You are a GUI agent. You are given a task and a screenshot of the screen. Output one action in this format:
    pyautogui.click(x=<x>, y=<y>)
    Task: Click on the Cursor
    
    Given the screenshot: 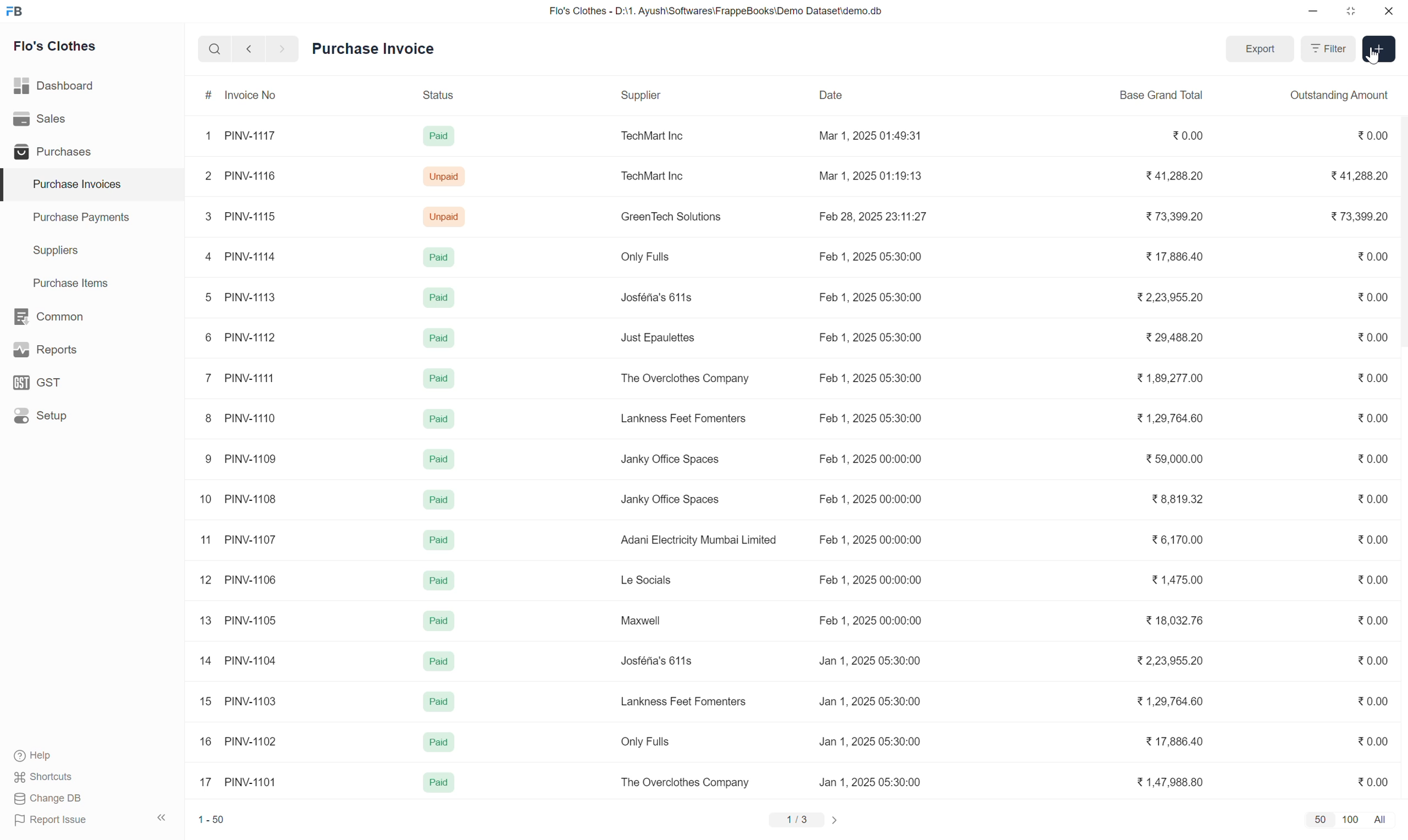 What is the action you would take?
    pyautogui.click(x=1372, y=55)
    